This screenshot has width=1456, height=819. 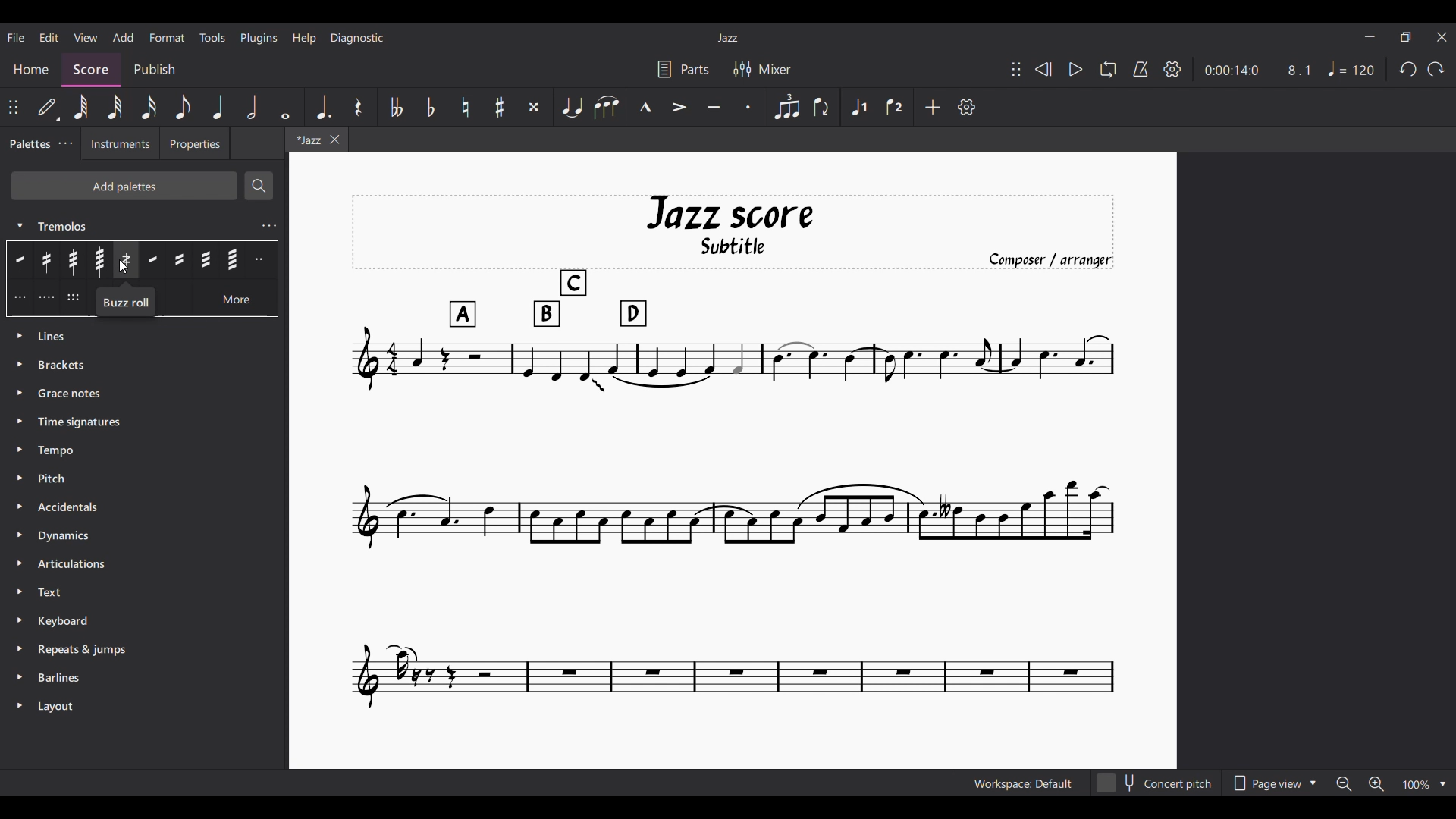 I want to click on Time signature, so click(x=143, y=422).